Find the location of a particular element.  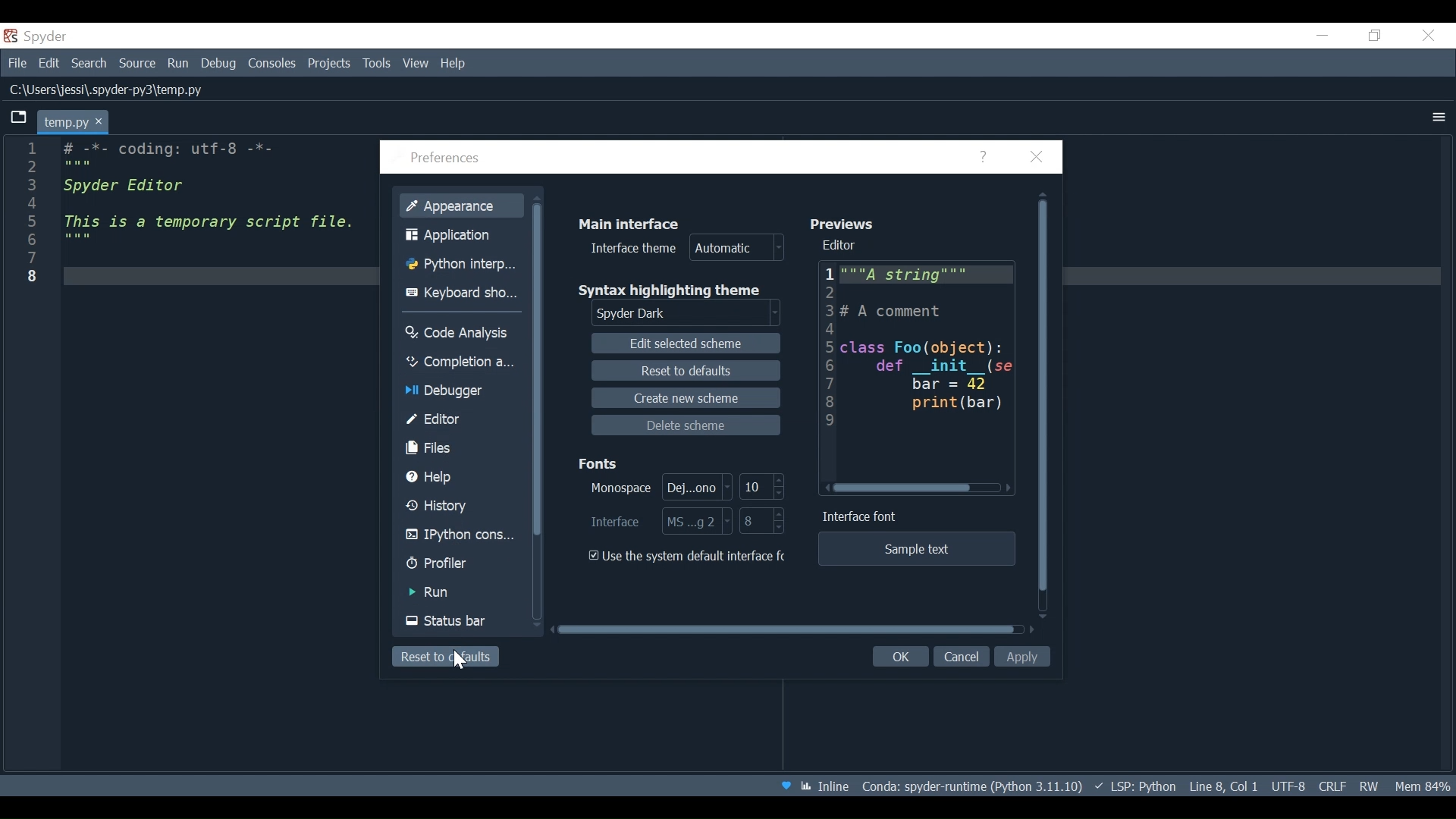

Spyder Desktop Icon is located at coordinates (39, 36).